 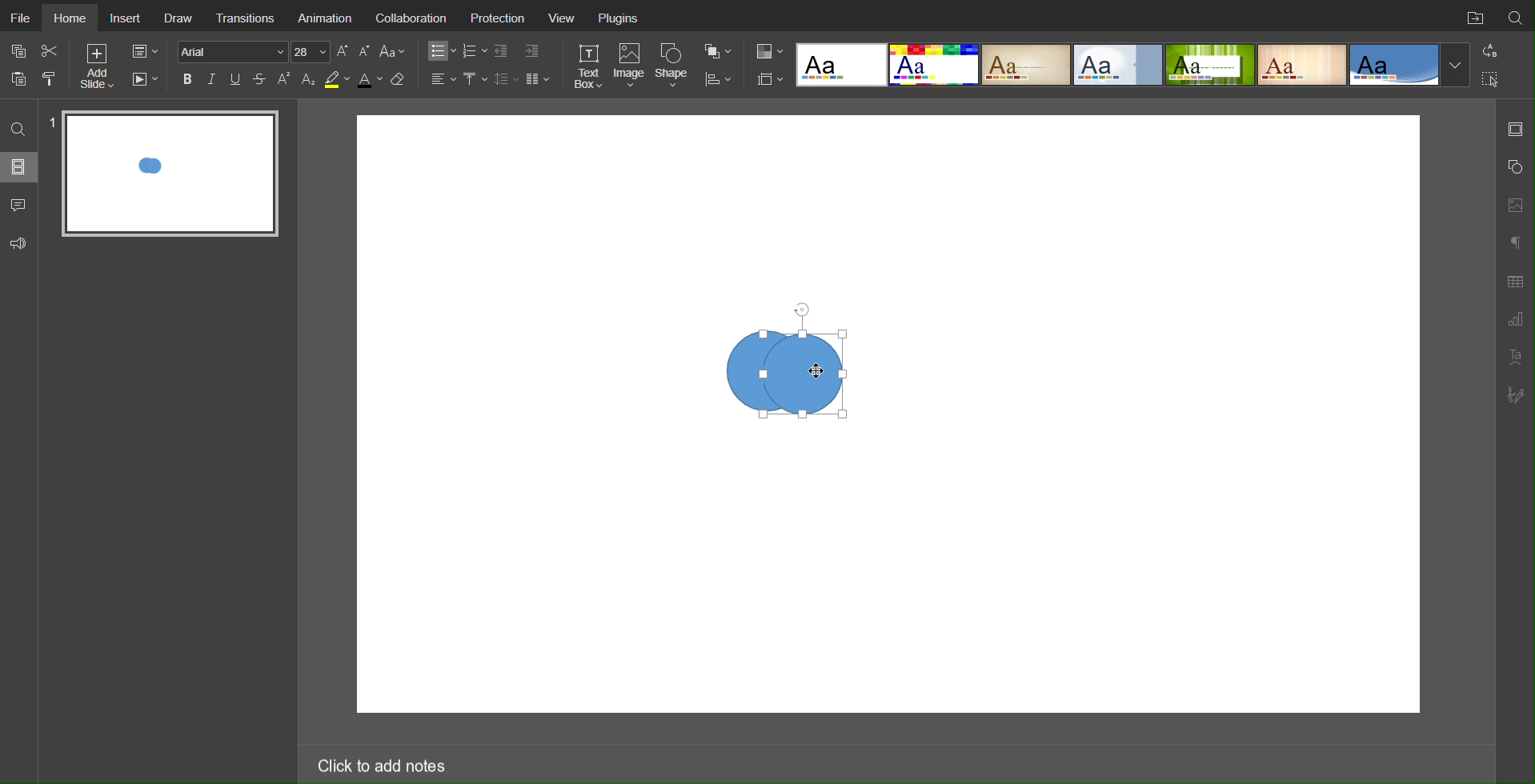 What do you see at coordinates (620, 20) in the screenshot?
I see `Plugins` at bounding box center [620, 20].